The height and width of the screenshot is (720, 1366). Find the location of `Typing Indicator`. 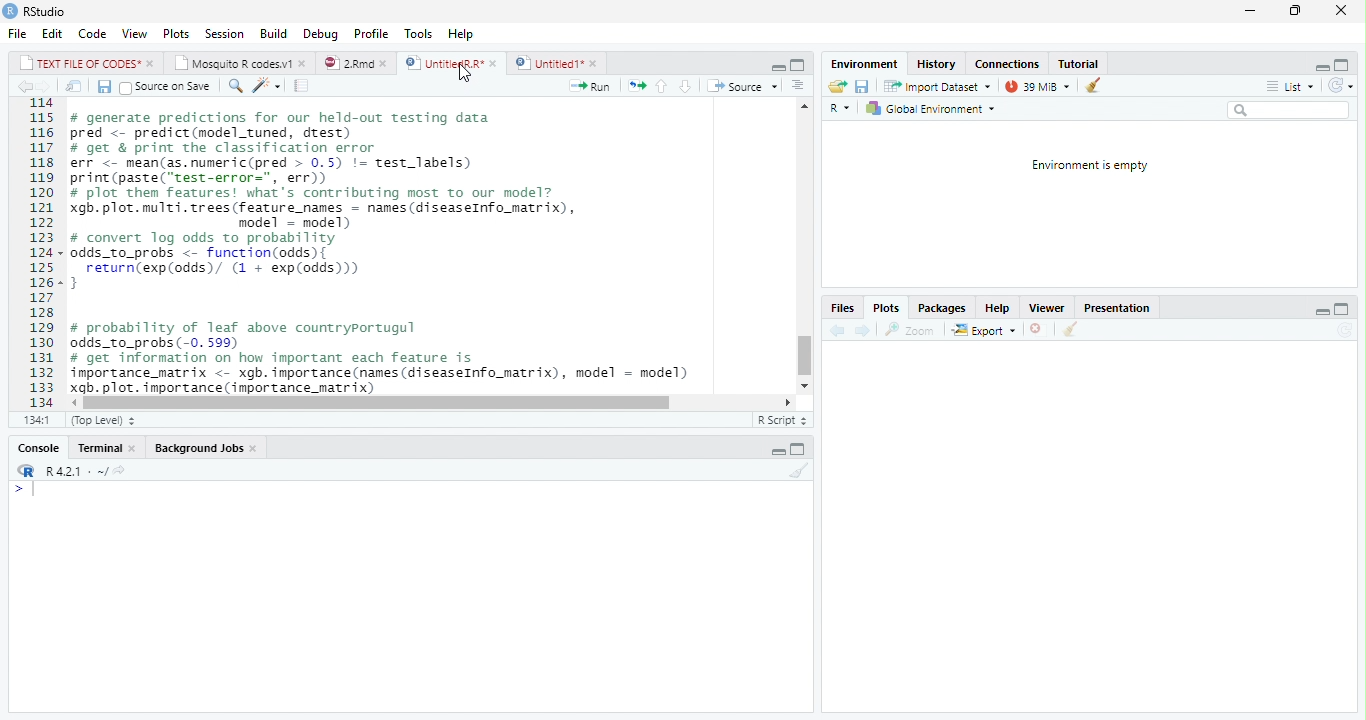

Typing Indicator is located at coordinates (23, 489).